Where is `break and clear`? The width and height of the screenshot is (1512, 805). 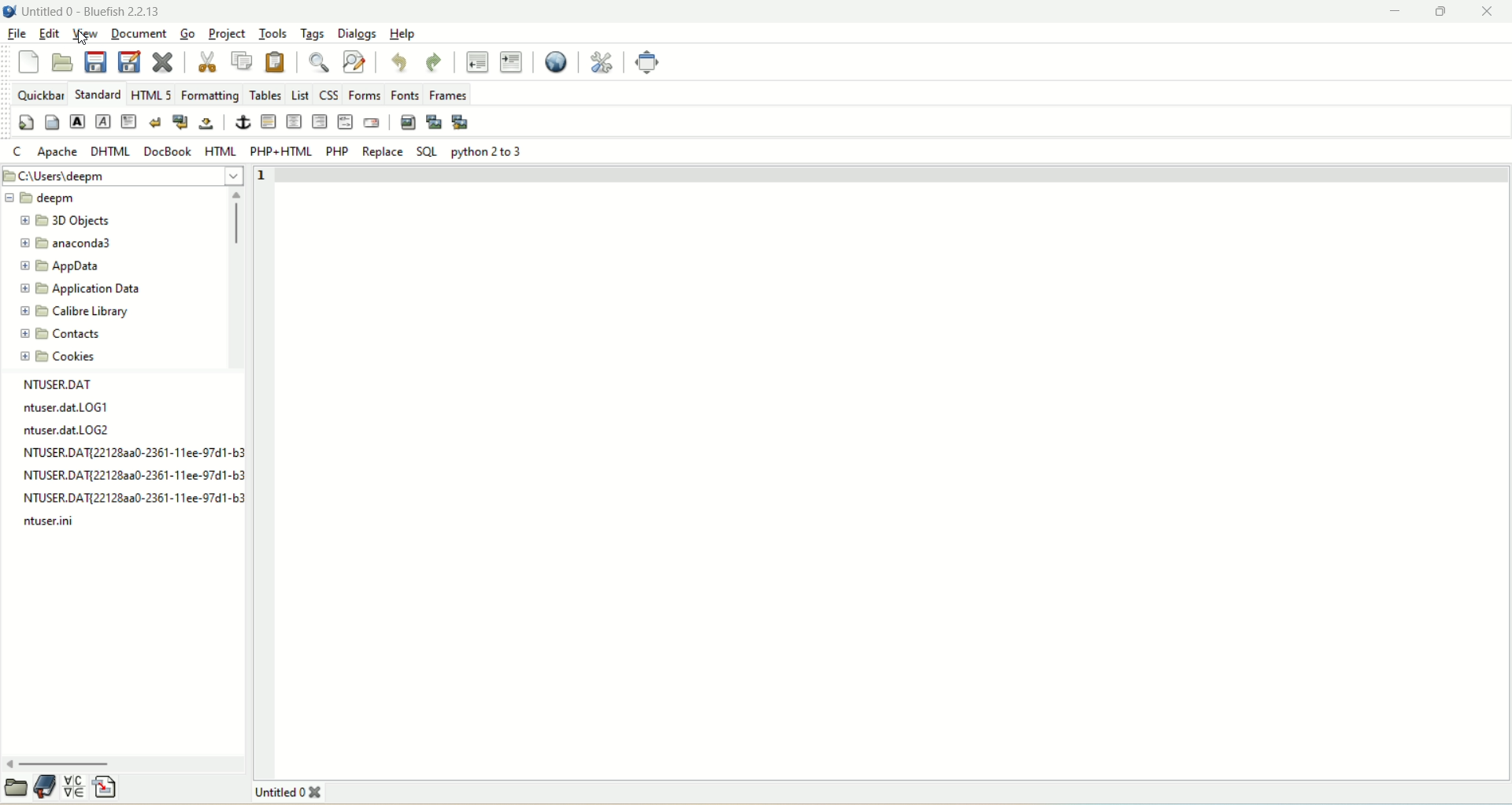
break and clear is located at coordinates (180, 121).